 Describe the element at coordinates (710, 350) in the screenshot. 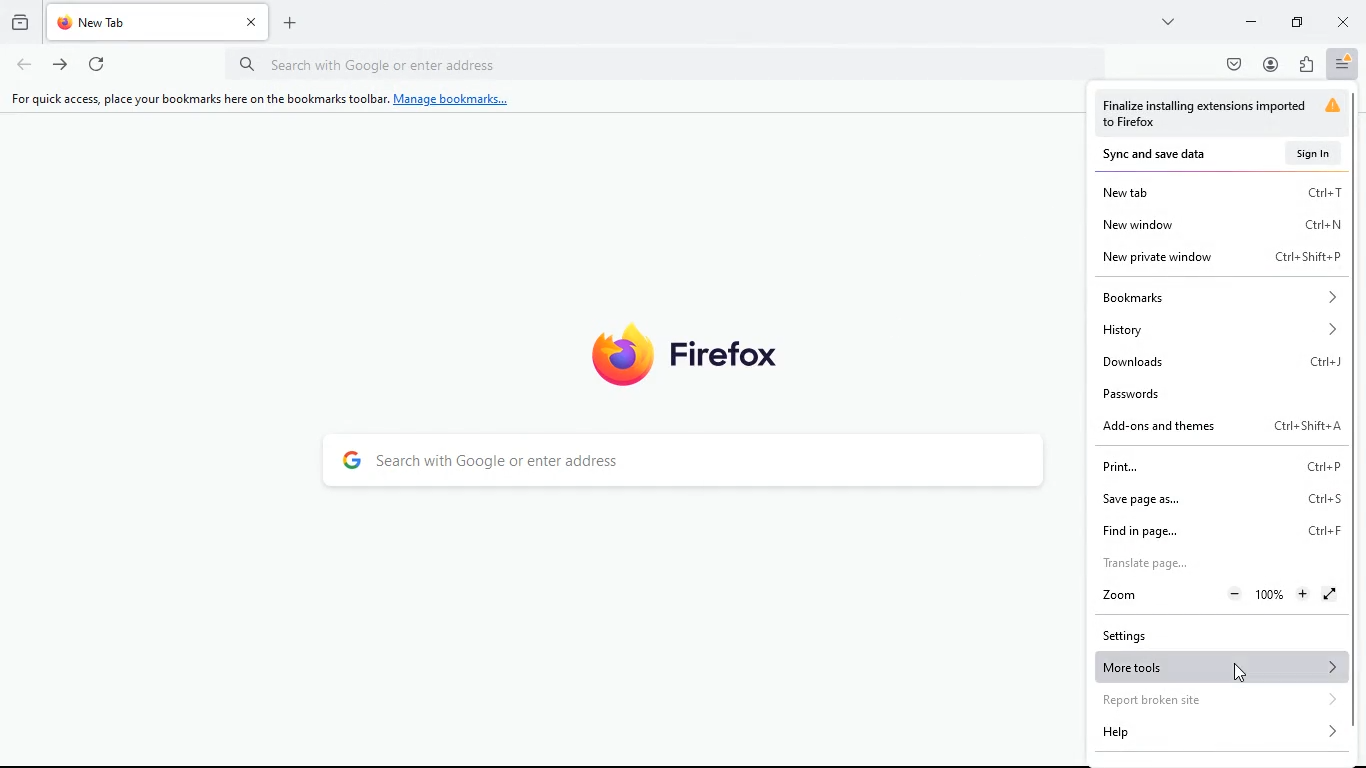

I see `firefox` at that location.